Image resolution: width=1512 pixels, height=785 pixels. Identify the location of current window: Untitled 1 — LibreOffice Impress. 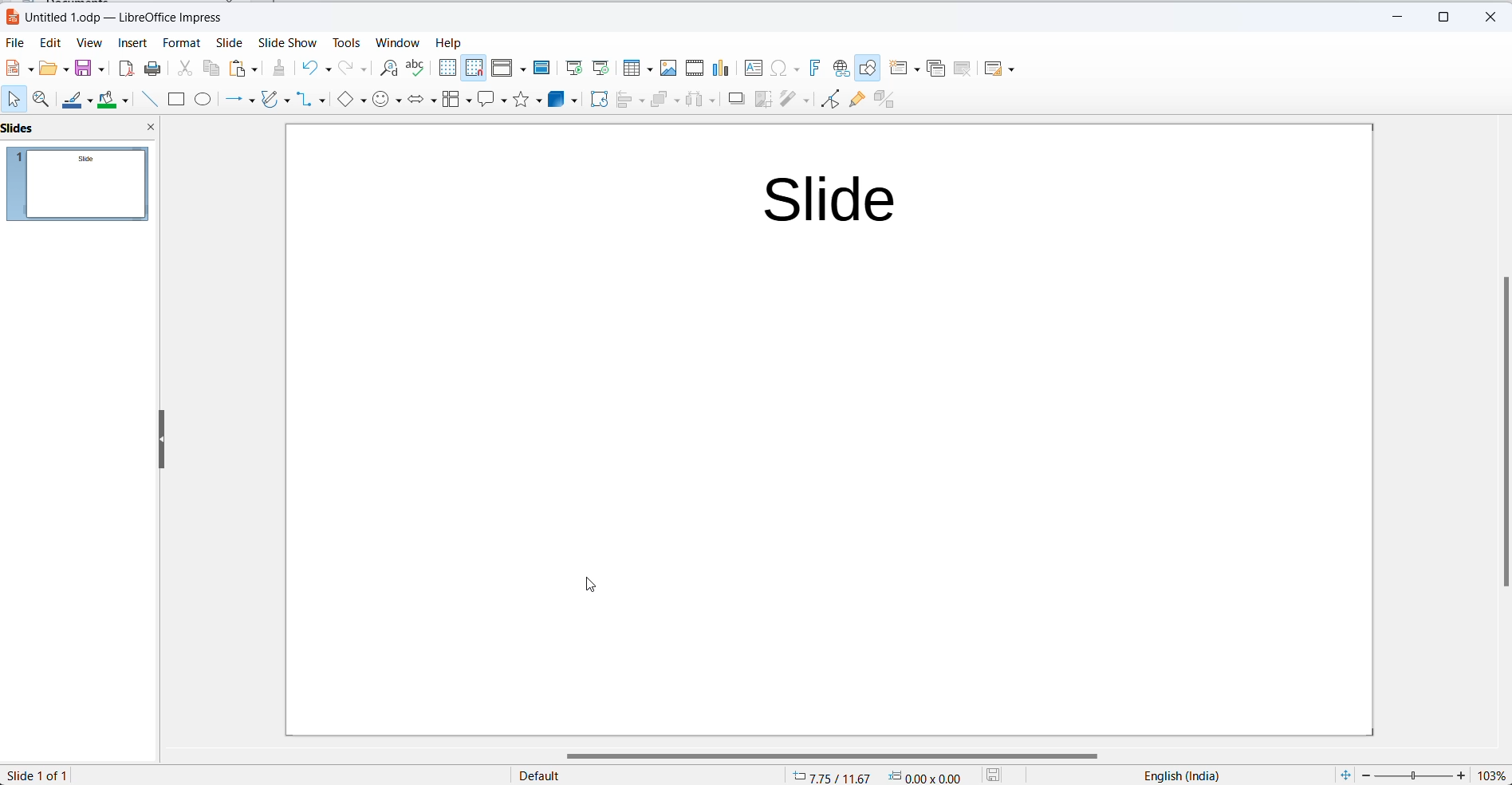
(112, 16).